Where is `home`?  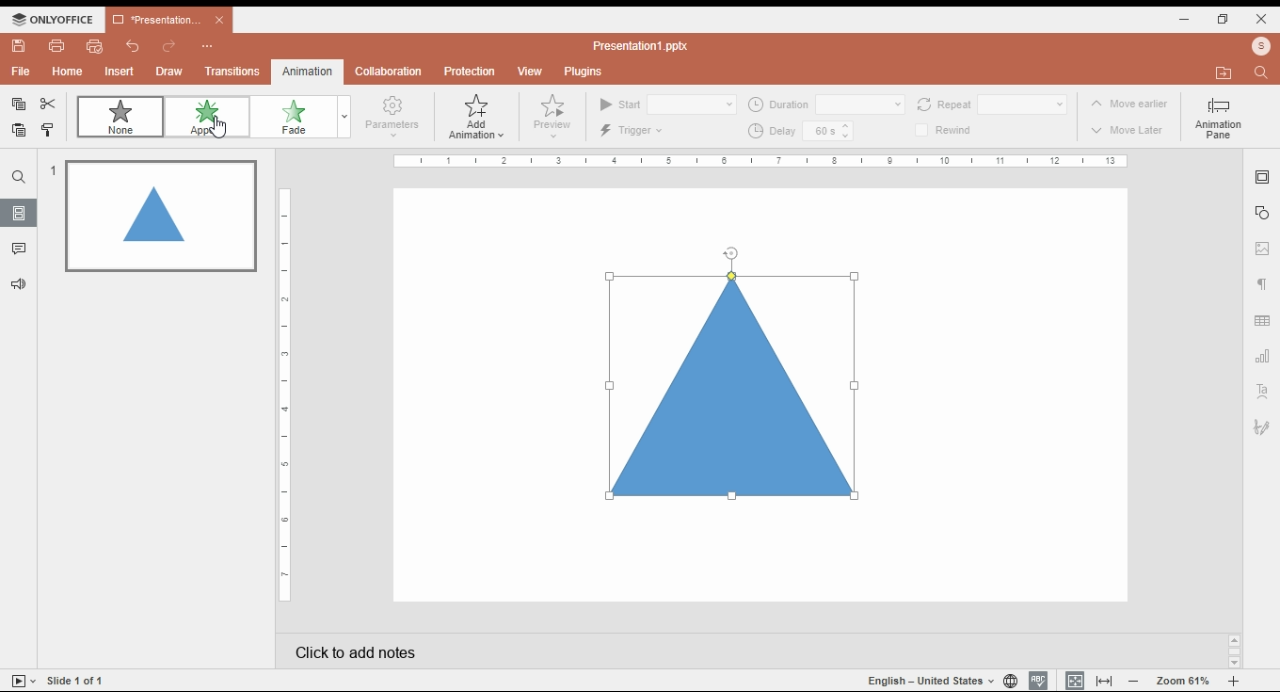
home is located at coordinates (67, 73).